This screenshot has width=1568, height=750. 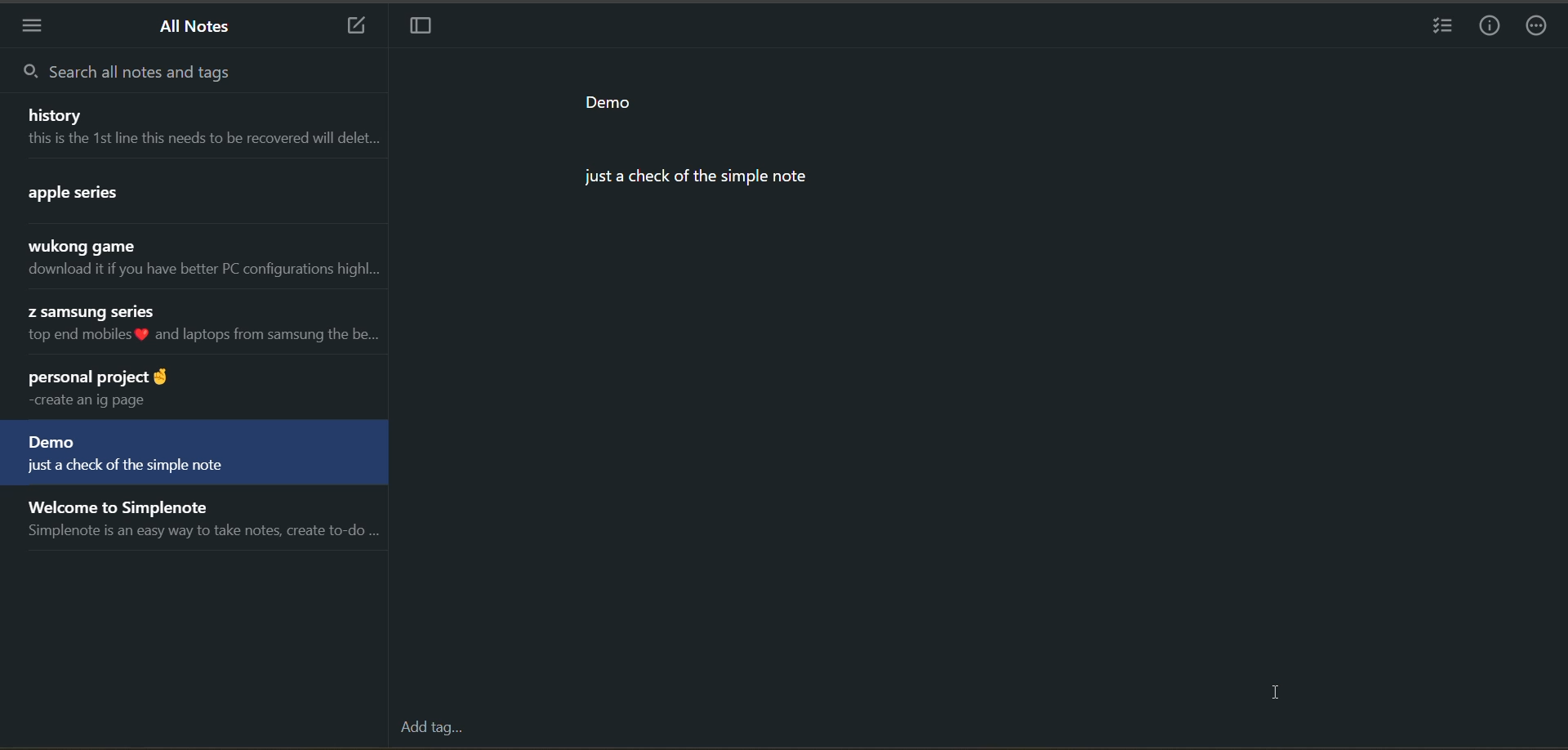 What do you see at coordinates (1493, 25) in the screenshot?
I see `info` at bounding box center [1493, 25].